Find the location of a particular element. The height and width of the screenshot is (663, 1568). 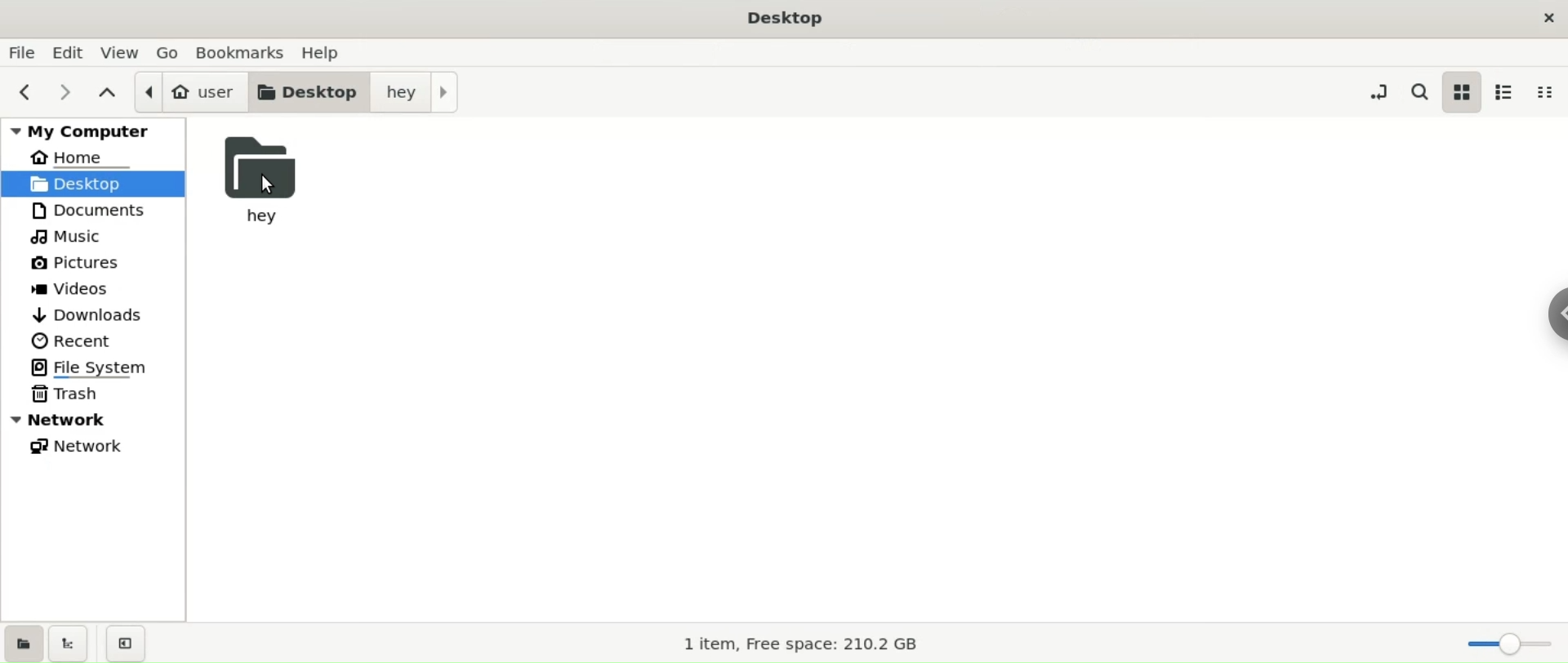

close sidebar is located at coordinates (128, 641).